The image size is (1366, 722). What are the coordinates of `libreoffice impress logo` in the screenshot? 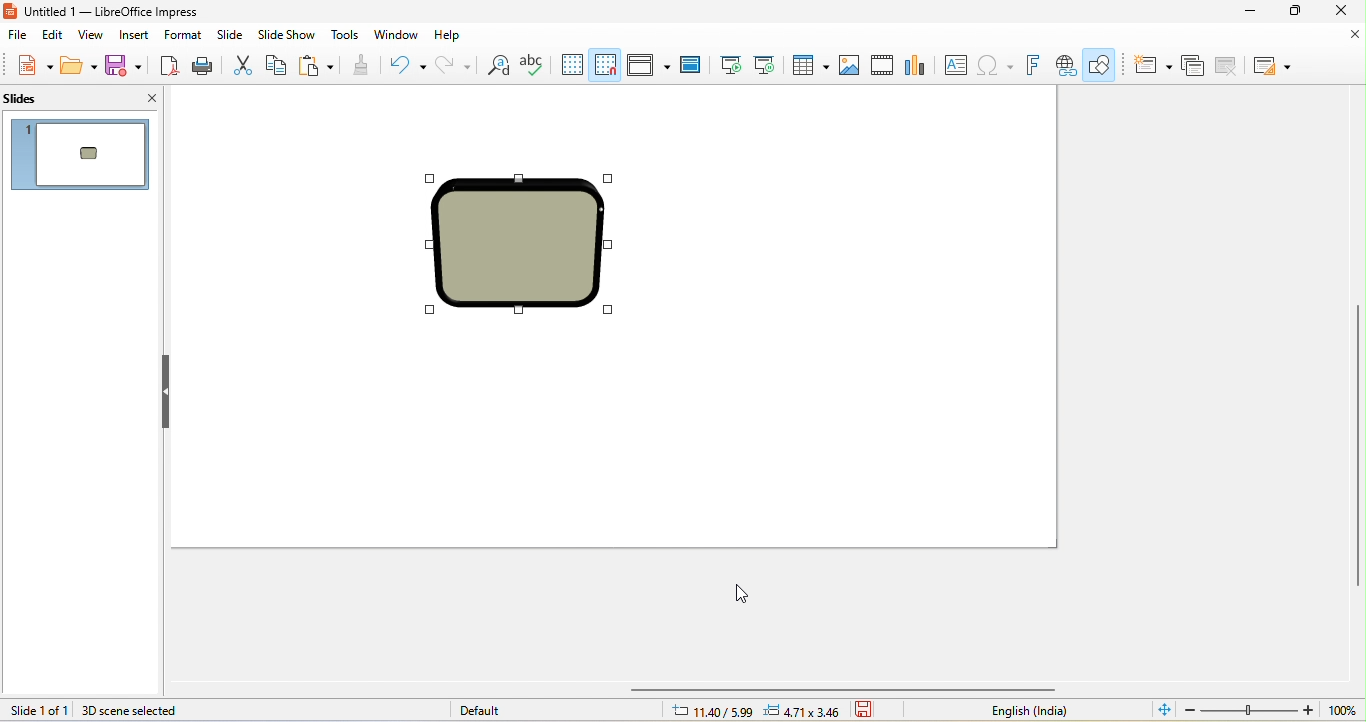 It's located at (12, 12).